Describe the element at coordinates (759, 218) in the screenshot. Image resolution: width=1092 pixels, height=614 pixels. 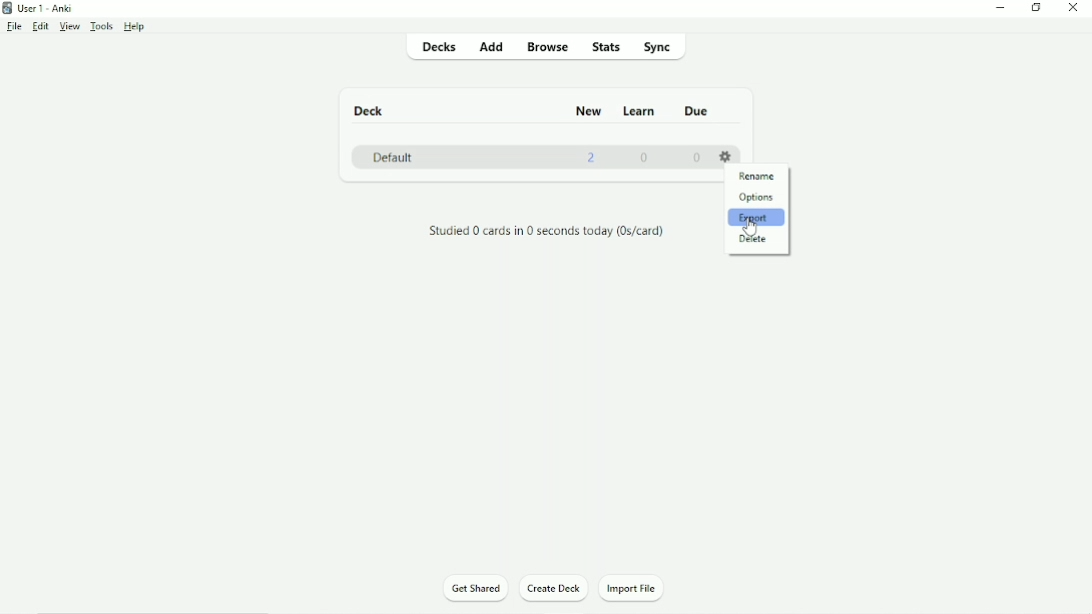
I see `Export` at that location.